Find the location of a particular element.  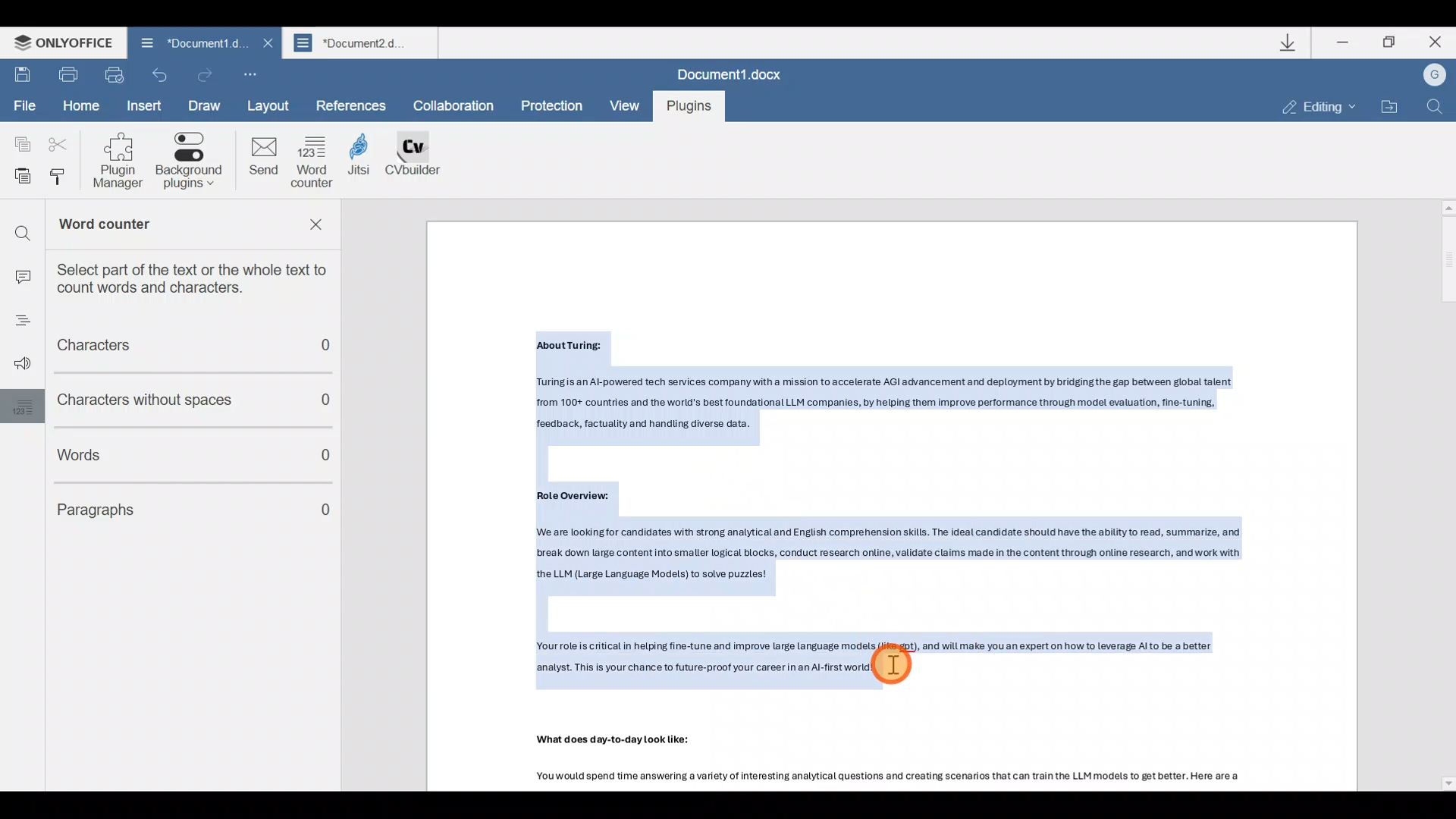

Protection is located at coordinates (551, 105).